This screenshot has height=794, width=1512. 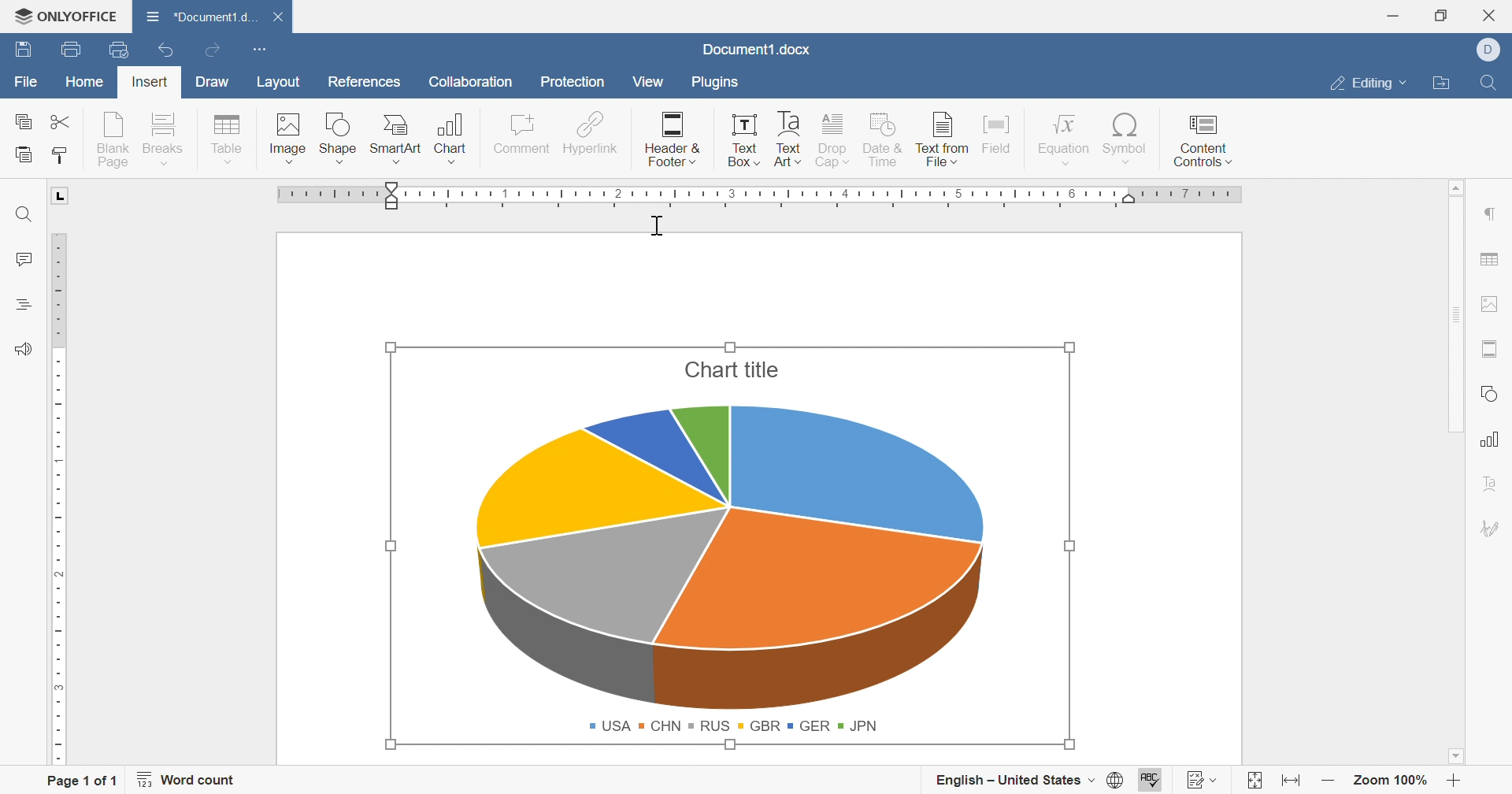 I want to click on Drop Cap, so click(x=832, y=139).